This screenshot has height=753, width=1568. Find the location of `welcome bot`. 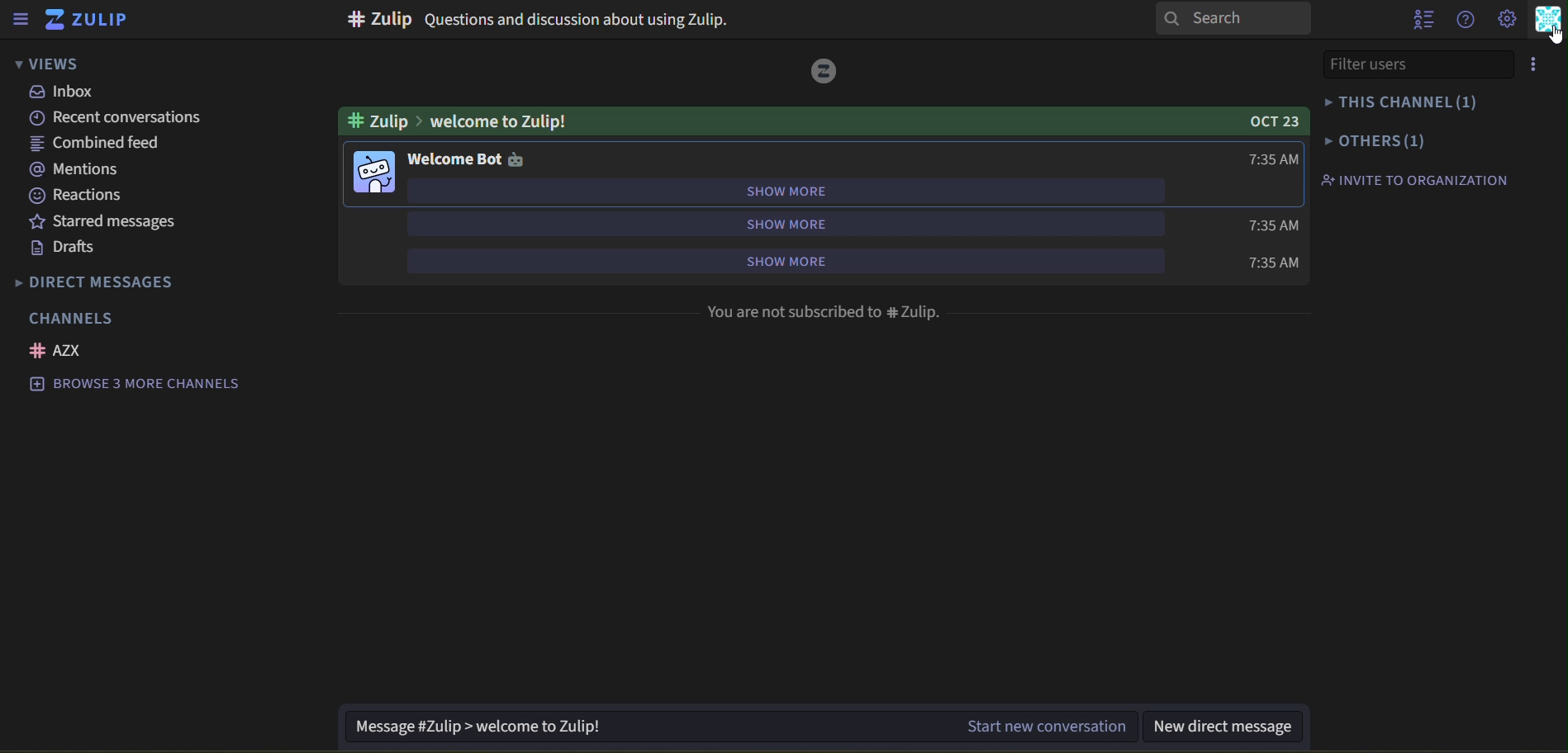

welcome bot is located at coordinates (466, 160).